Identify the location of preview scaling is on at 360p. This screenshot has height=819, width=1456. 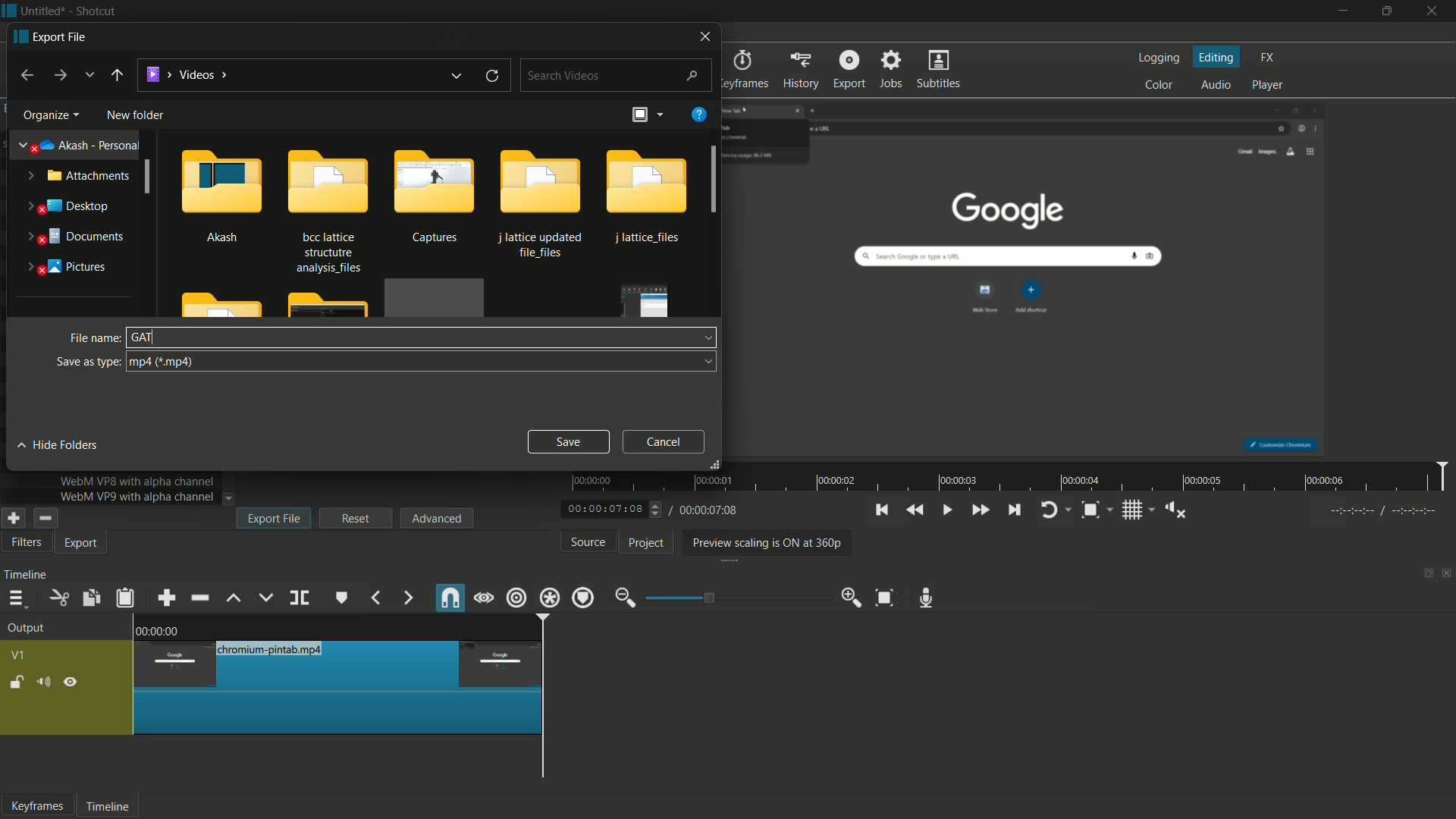
(764, 544).